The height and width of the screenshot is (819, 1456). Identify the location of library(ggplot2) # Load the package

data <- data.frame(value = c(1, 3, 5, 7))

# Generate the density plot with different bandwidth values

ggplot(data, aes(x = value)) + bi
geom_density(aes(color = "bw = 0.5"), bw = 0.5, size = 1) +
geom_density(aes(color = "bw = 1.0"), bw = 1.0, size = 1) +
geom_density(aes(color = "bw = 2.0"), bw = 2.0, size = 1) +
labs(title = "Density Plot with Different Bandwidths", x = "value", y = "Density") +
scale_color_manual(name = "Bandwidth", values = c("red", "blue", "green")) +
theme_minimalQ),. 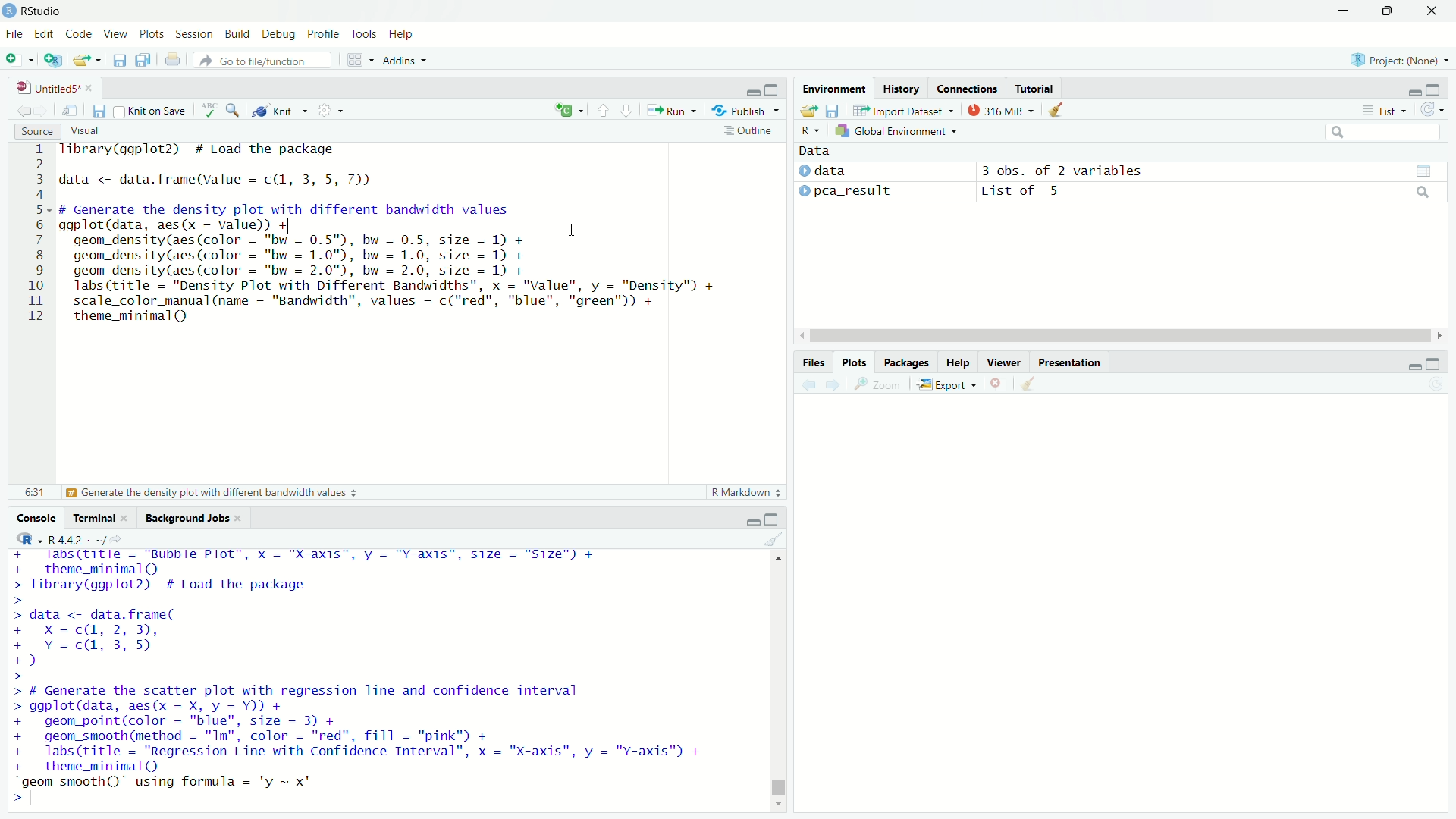
(391, 235).